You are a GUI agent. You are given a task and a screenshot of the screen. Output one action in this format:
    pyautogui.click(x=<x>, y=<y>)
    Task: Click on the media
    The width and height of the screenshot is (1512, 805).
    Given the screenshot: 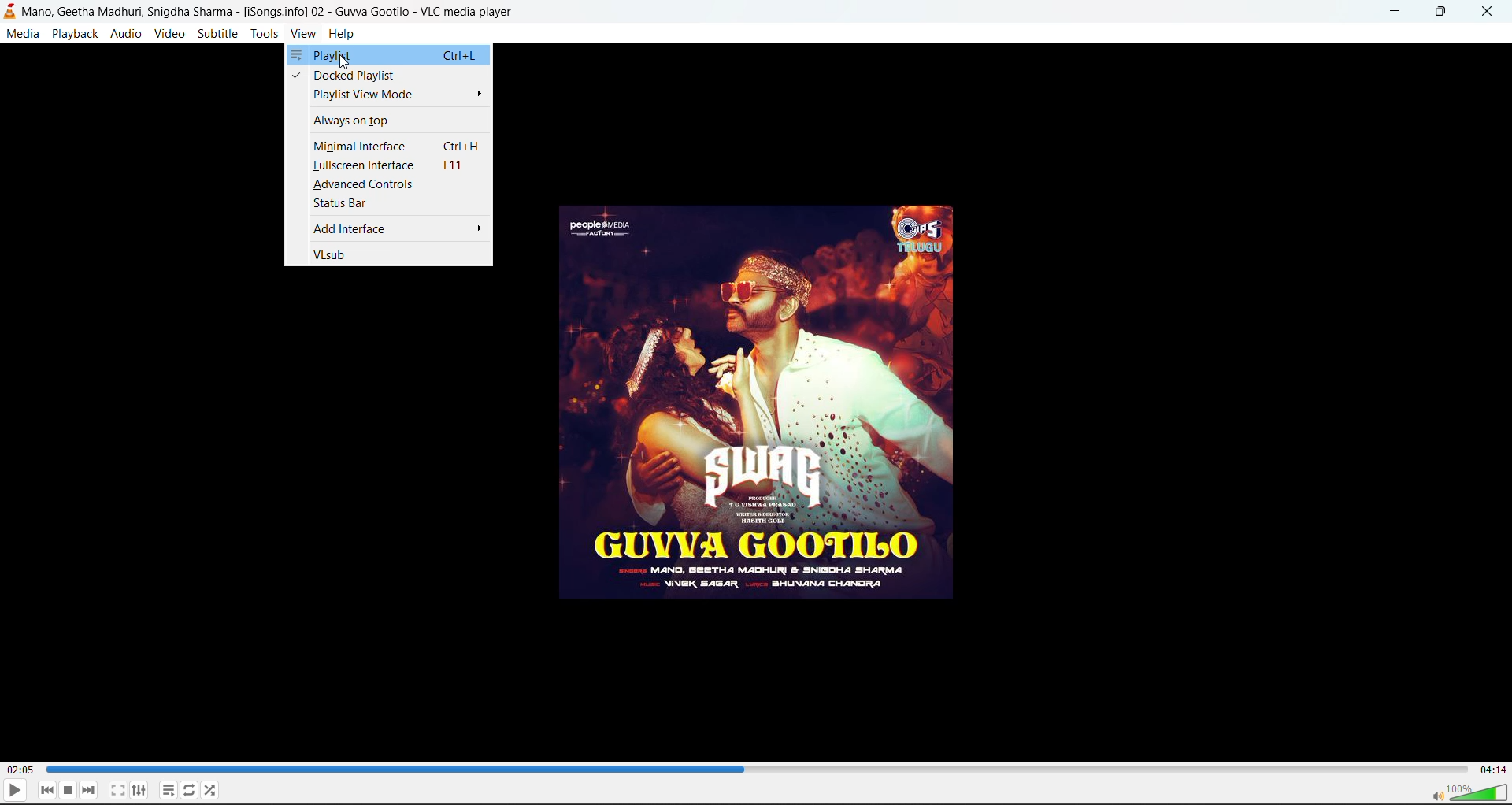 What is the action you would take?
    pyautogui.click(x=22, y=33)
    